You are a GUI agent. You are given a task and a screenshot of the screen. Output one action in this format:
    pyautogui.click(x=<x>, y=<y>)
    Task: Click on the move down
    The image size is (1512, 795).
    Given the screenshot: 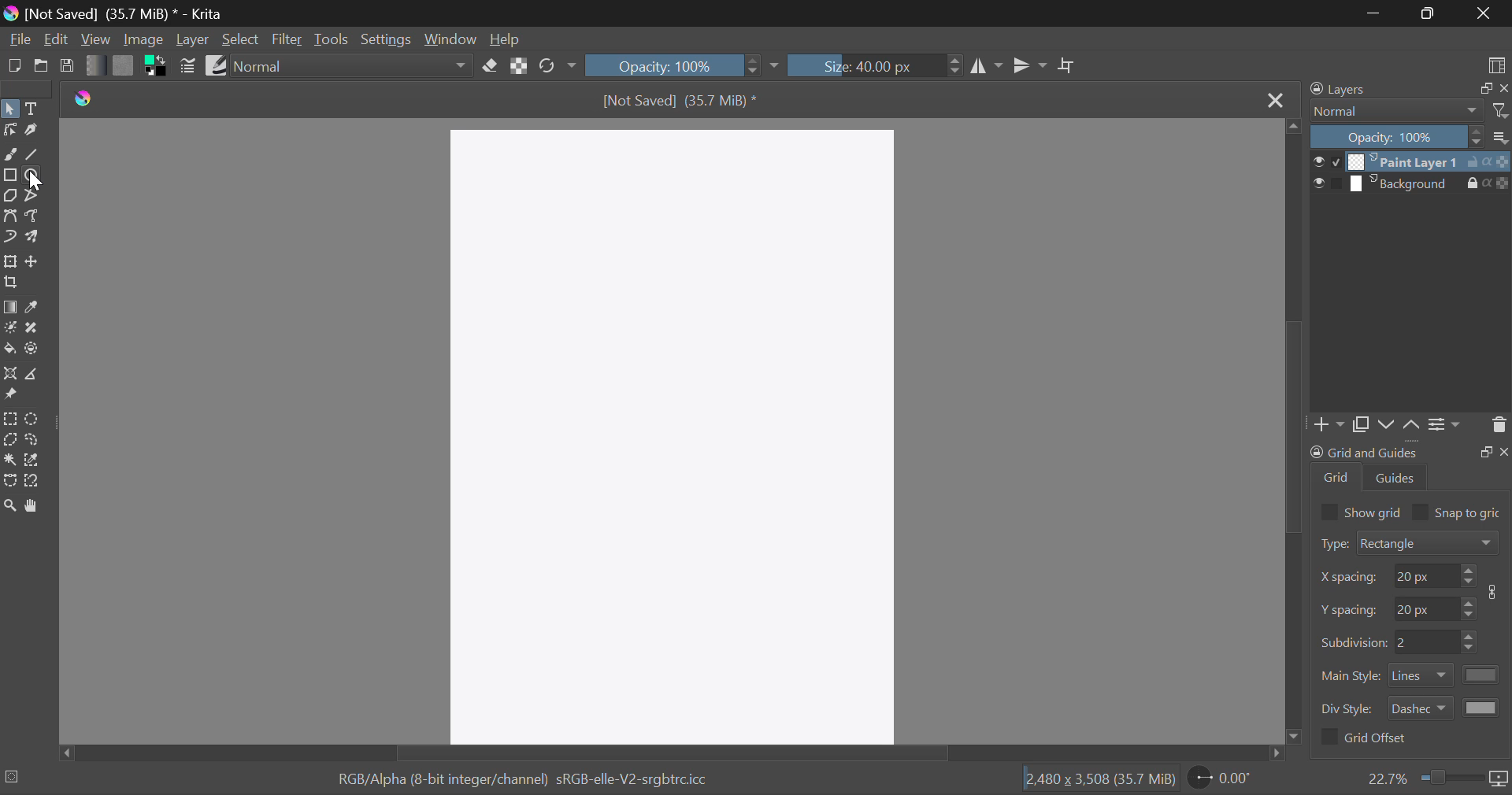 What is the action you would take?
    pyautogui.click(x=1298, y=733)
    